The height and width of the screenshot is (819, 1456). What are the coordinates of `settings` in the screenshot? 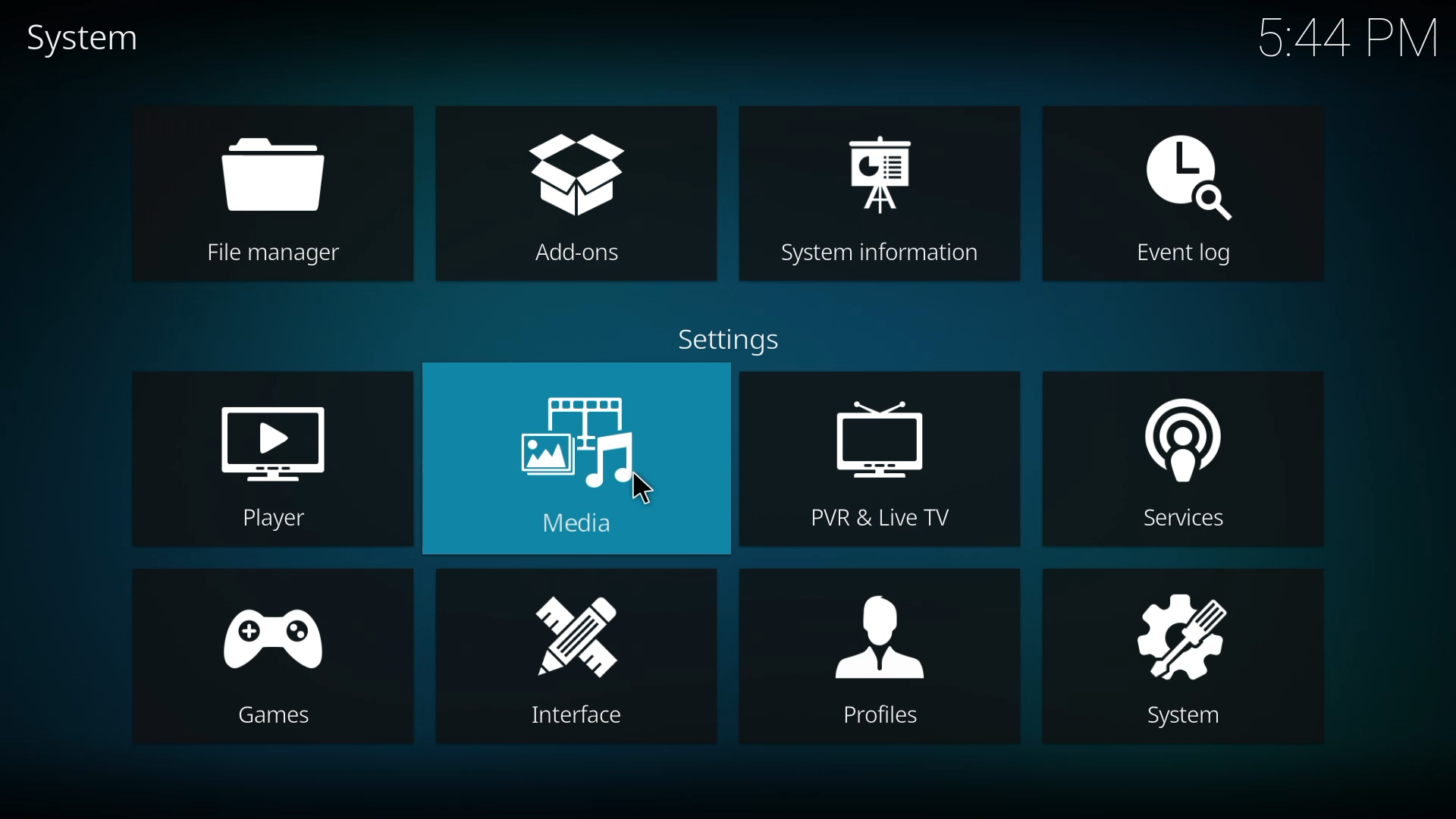 It's located at (721, 342).